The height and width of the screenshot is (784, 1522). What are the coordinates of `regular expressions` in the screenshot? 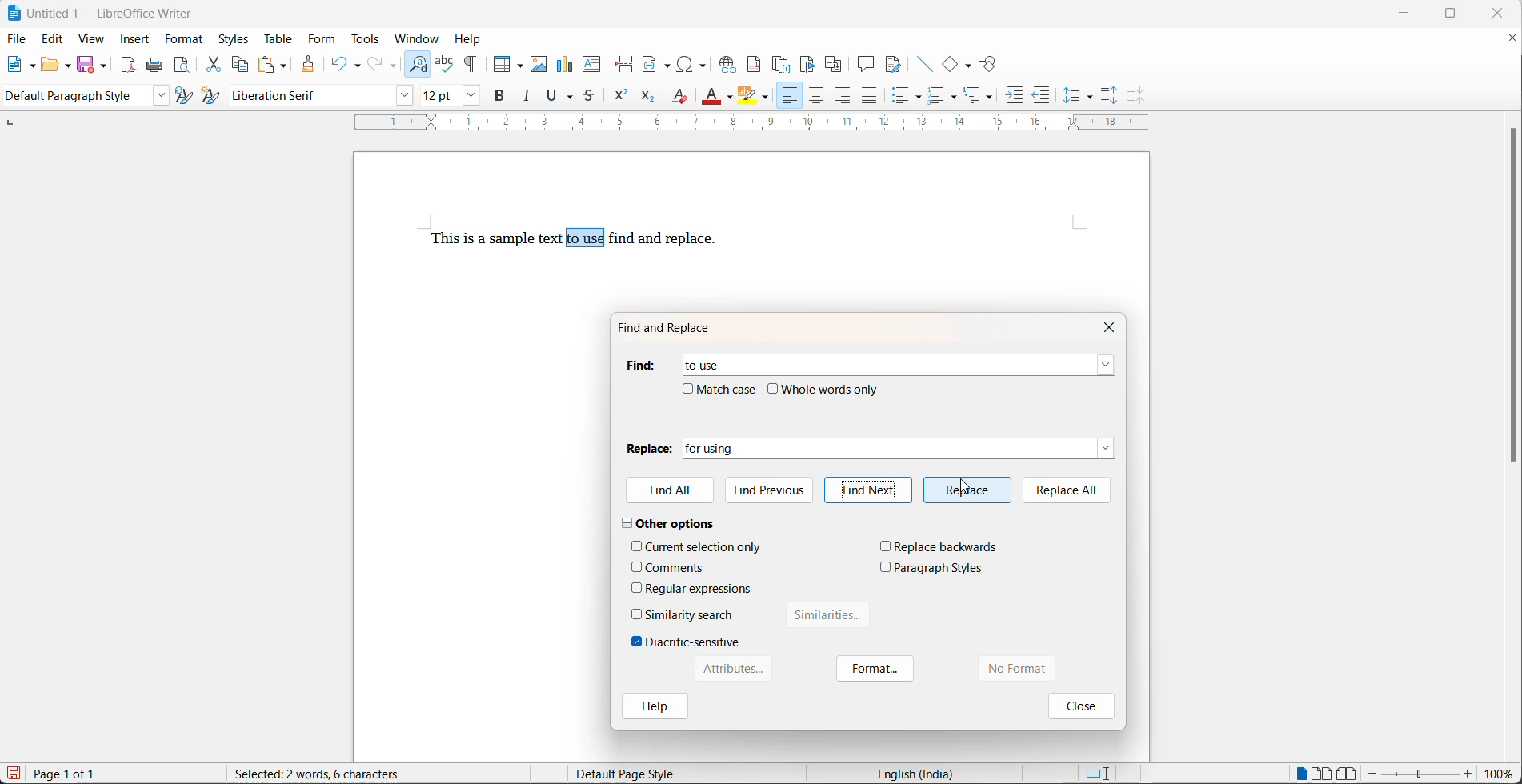 It's located at (700, 589).